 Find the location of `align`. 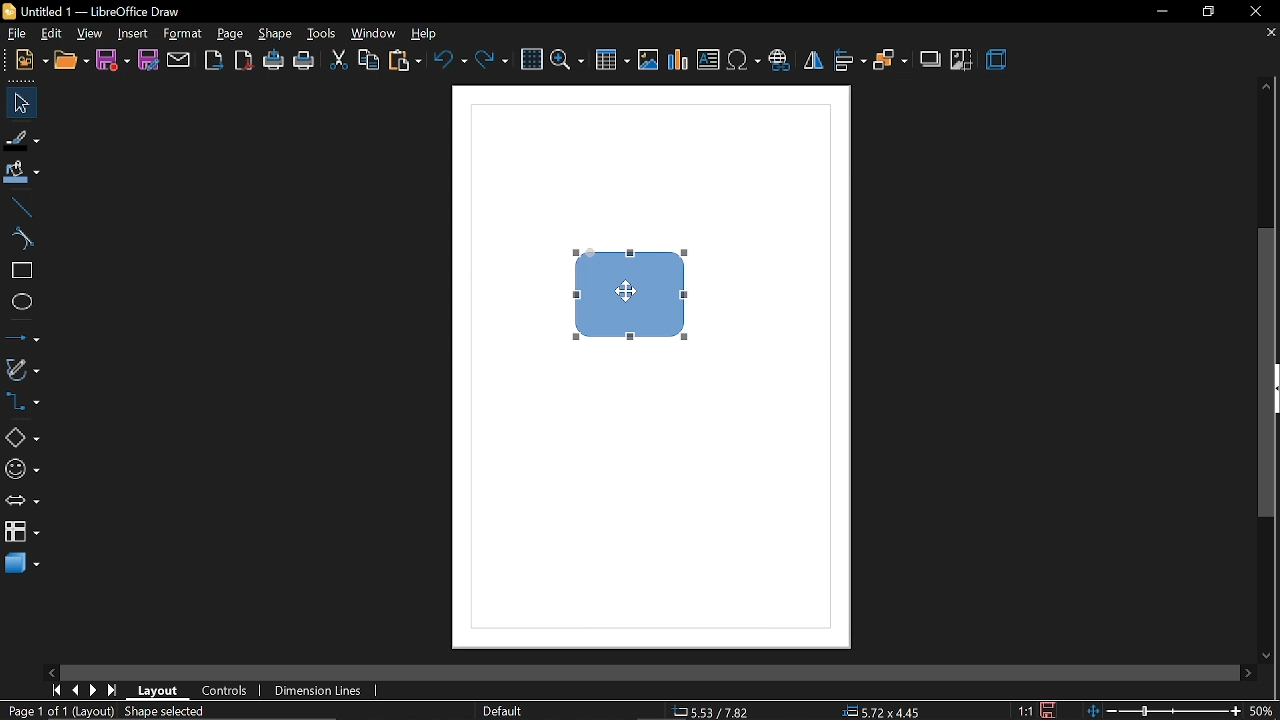

align is located at coordinates (851, 62).